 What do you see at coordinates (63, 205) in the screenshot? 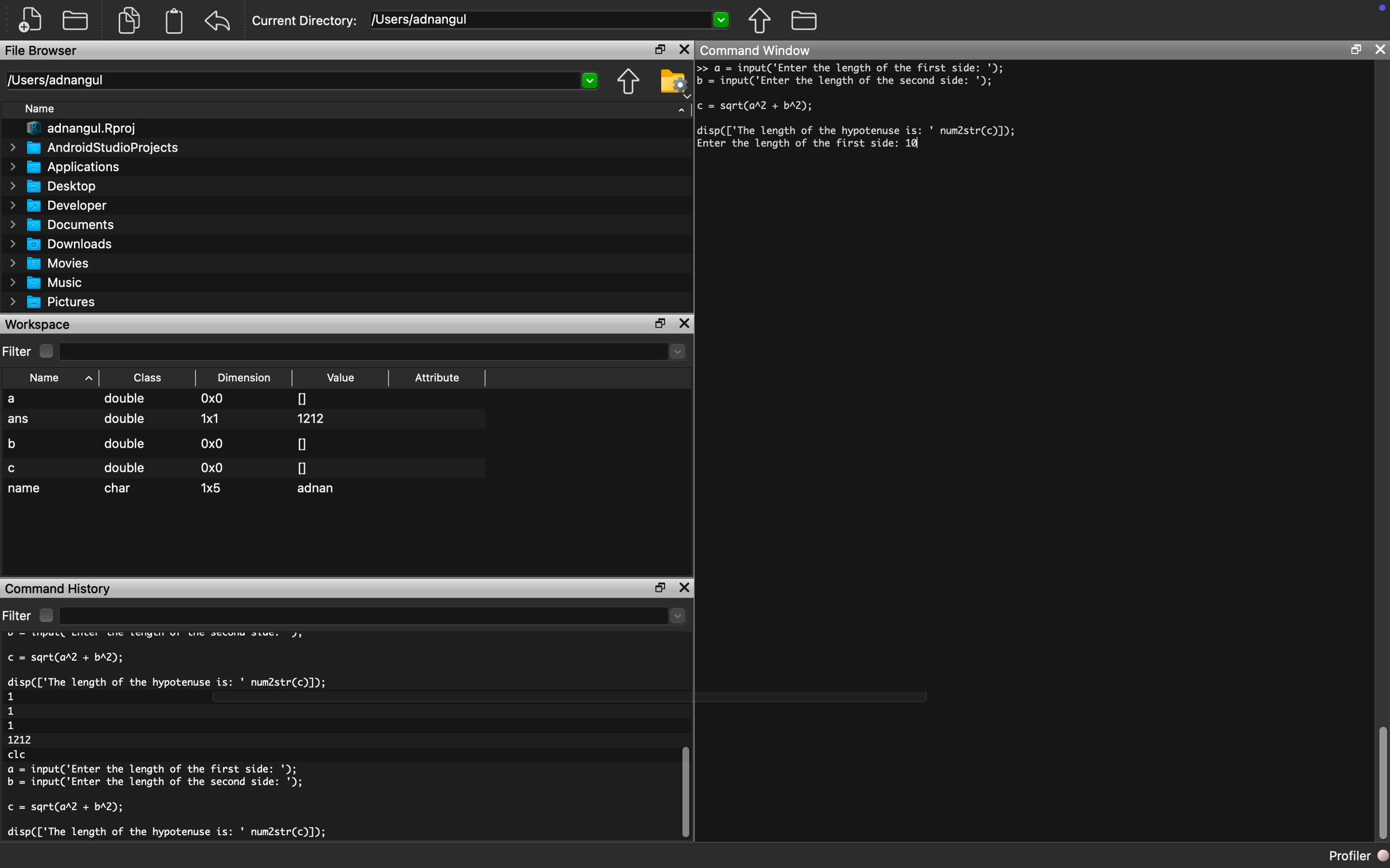
I see `Developer` at bounding box center [63, 205].